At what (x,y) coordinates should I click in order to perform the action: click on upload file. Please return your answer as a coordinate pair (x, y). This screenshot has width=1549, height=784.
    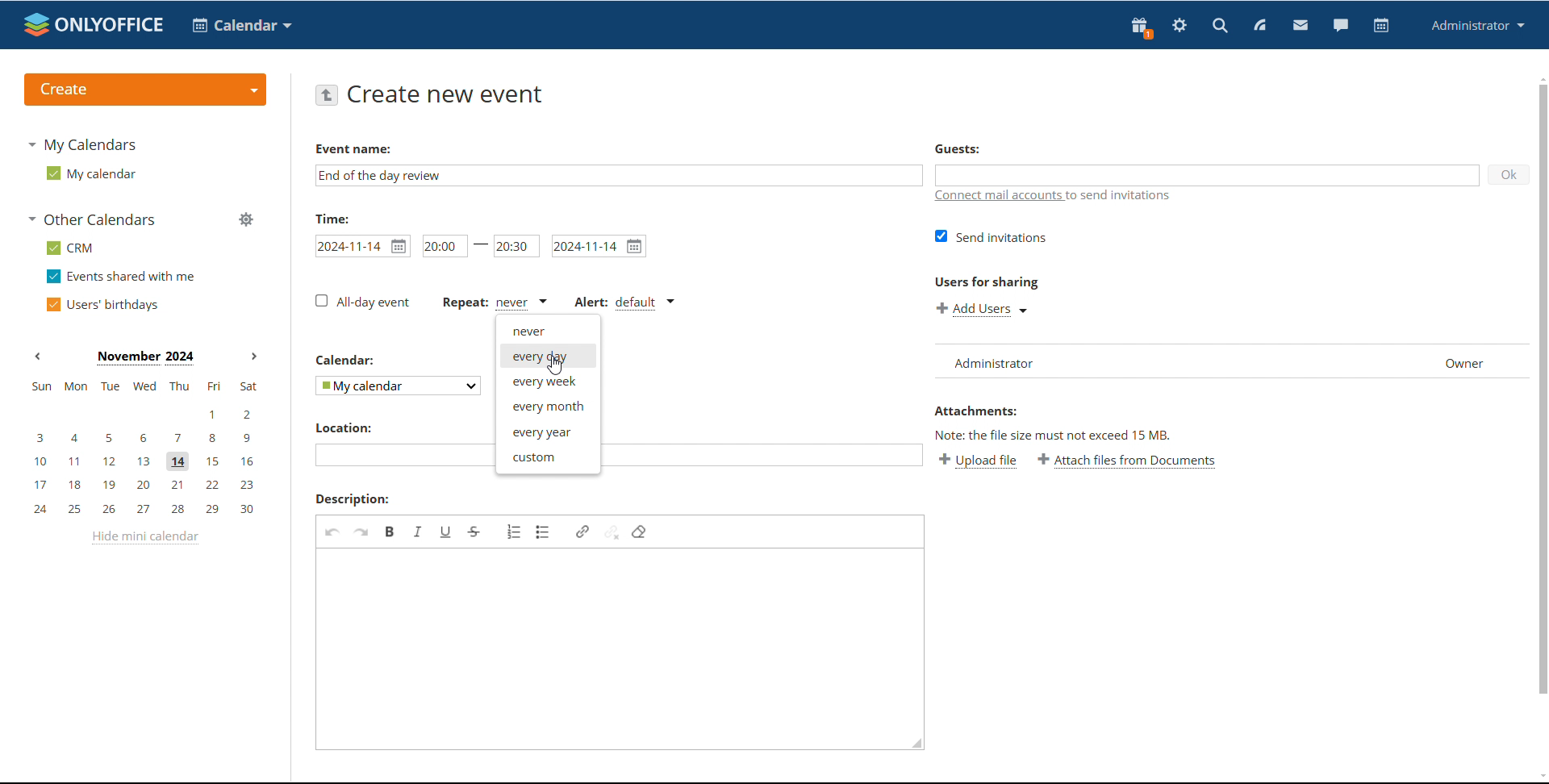
    Looking at the image, I should click on (978, 460).